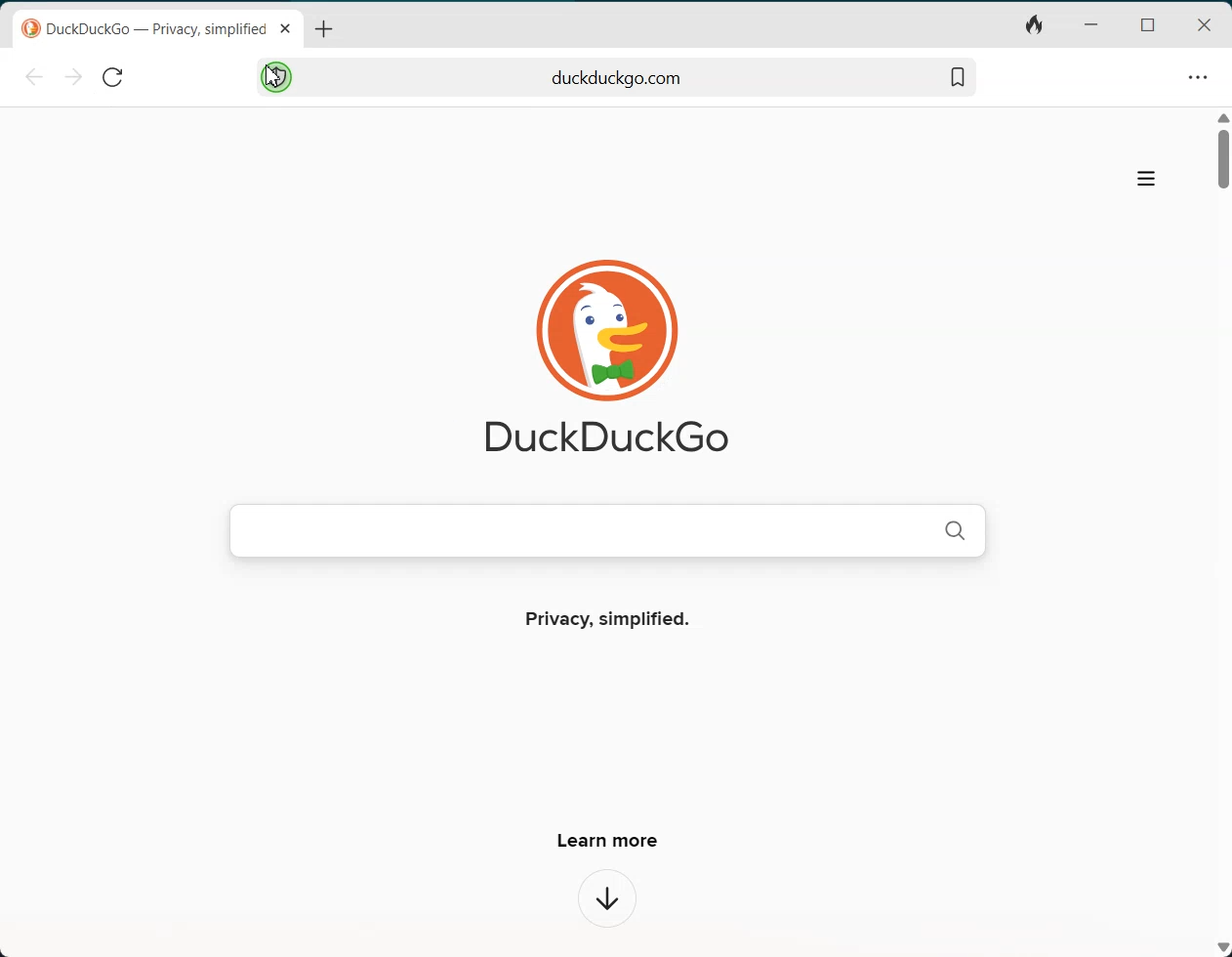 This screenshot has width=1232, height=957. What do you see at coordinates (275, 76) in the screenshot?
I see `Shield protected` at bounding box center [275, 76].